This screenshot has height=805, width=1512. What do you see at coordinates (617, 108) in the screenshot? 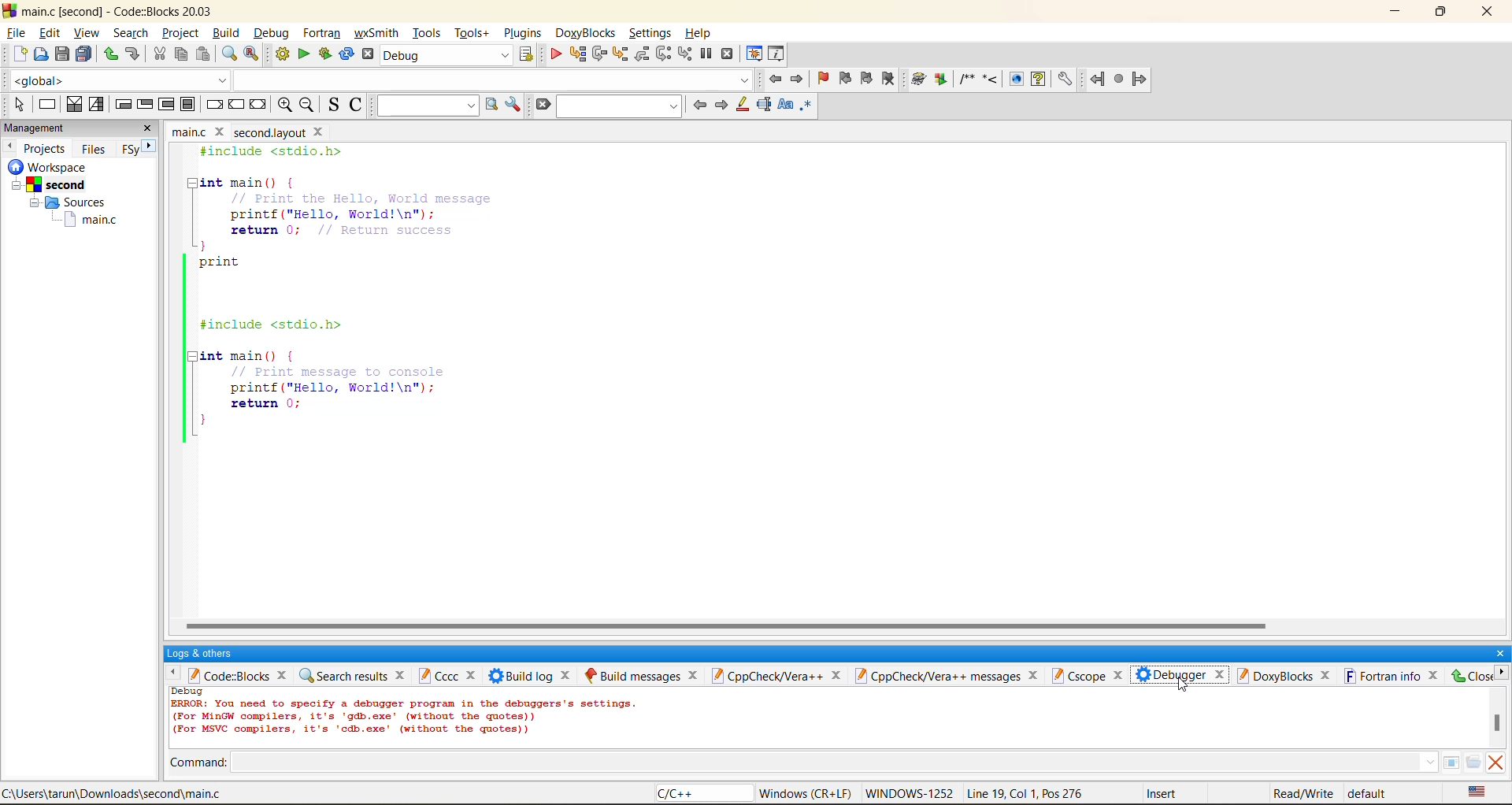
I see `search` at bounding box center [617, 108].